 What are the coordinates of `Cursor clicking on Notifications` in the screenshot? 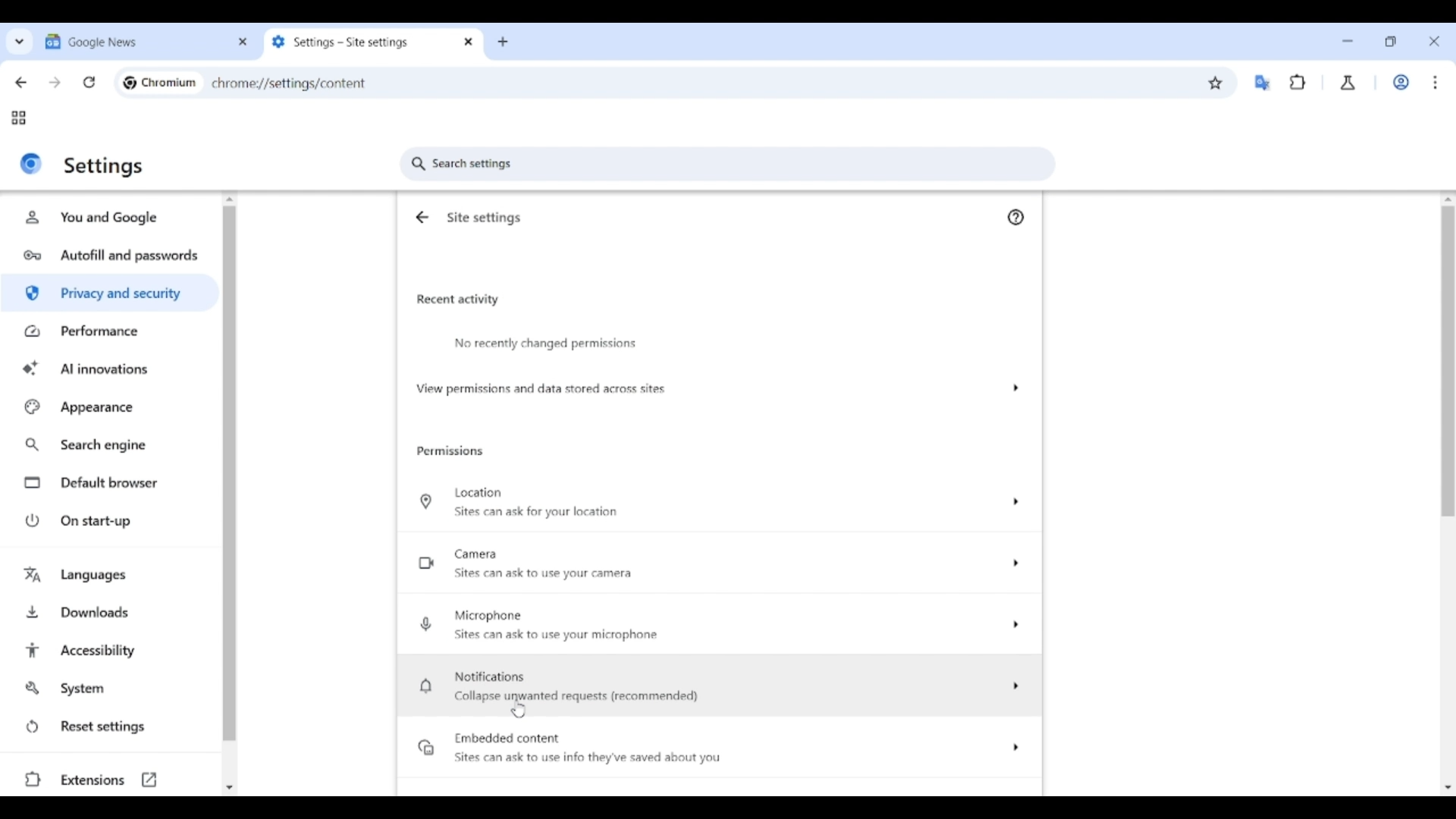 It's located at (518, 708).